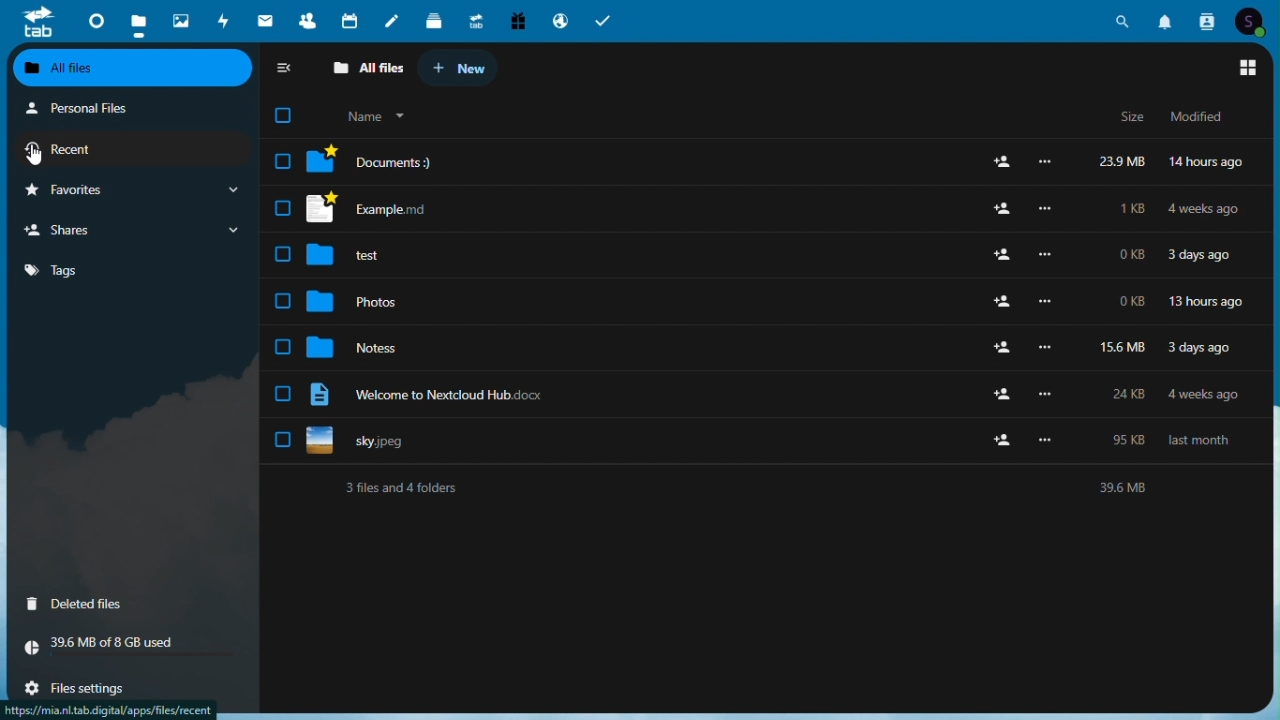 The width and height of the screenshot is (1280, 720). What do you see at coordinates (282, 393) in the screenshot?
I see `checkbox` at bounding box center [282, 393].